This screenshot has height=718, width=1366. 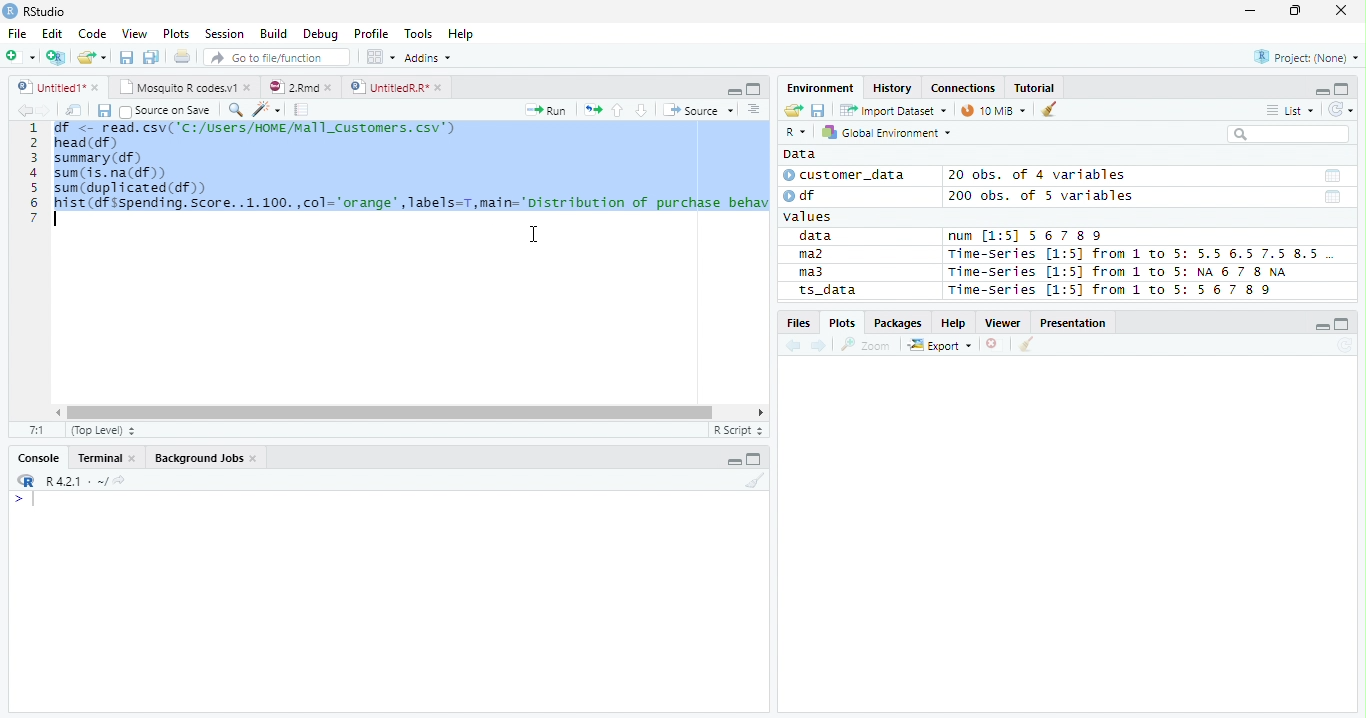 What do you see at coordinates (103, 110) in the screenshot?
I see `Save` at bounding box center [103, 110].